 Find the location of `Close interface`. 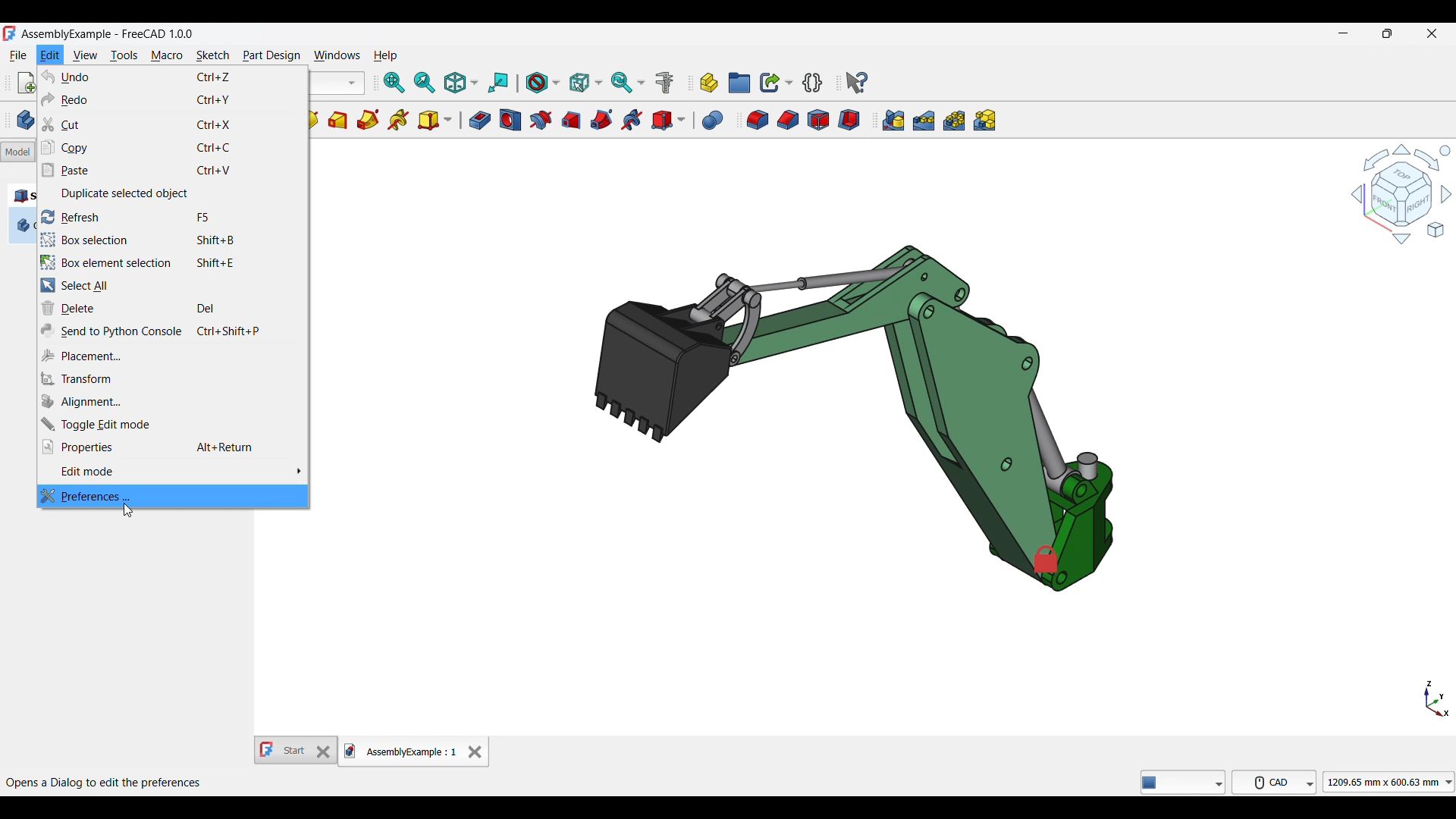

Close interface is located at coordinates (1432, 33).